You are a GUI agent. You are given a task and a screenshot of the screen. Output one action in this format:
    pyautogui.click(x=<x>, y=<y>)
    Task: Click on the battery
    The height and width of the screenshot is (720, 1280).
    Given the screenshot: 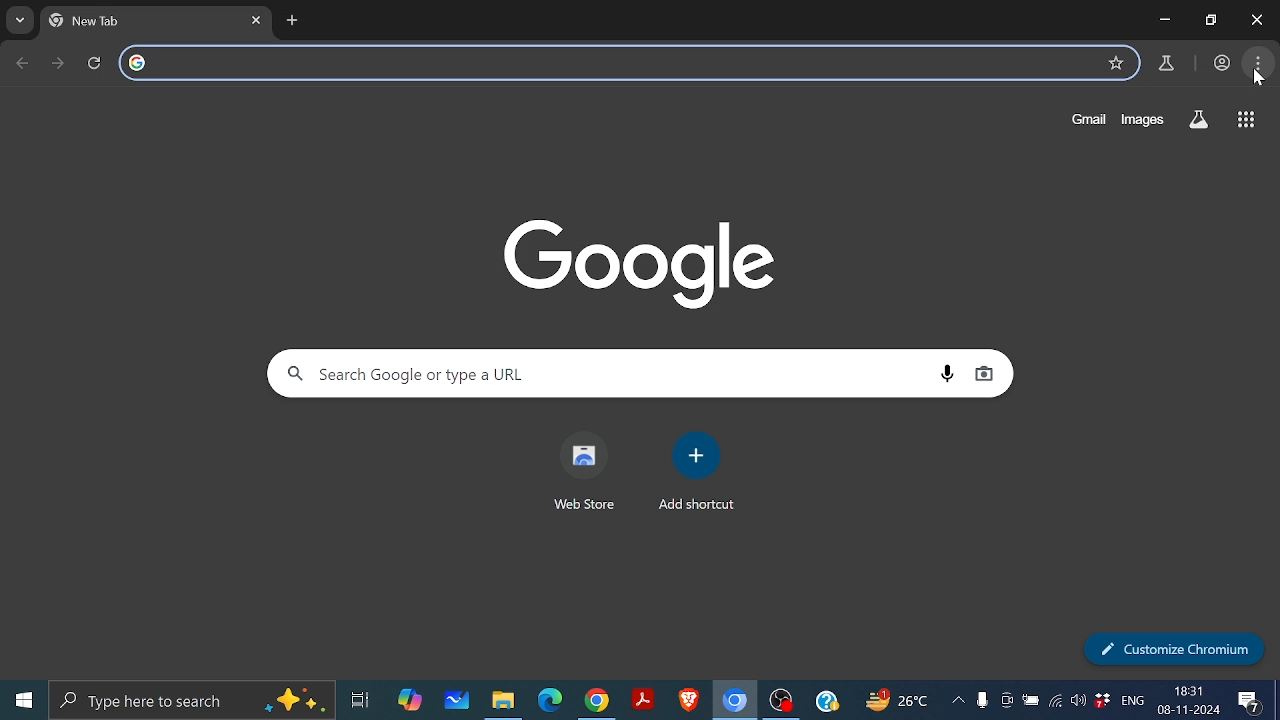 What is the action you would take?
    pyautogui.click(x=1031, y=704)
    